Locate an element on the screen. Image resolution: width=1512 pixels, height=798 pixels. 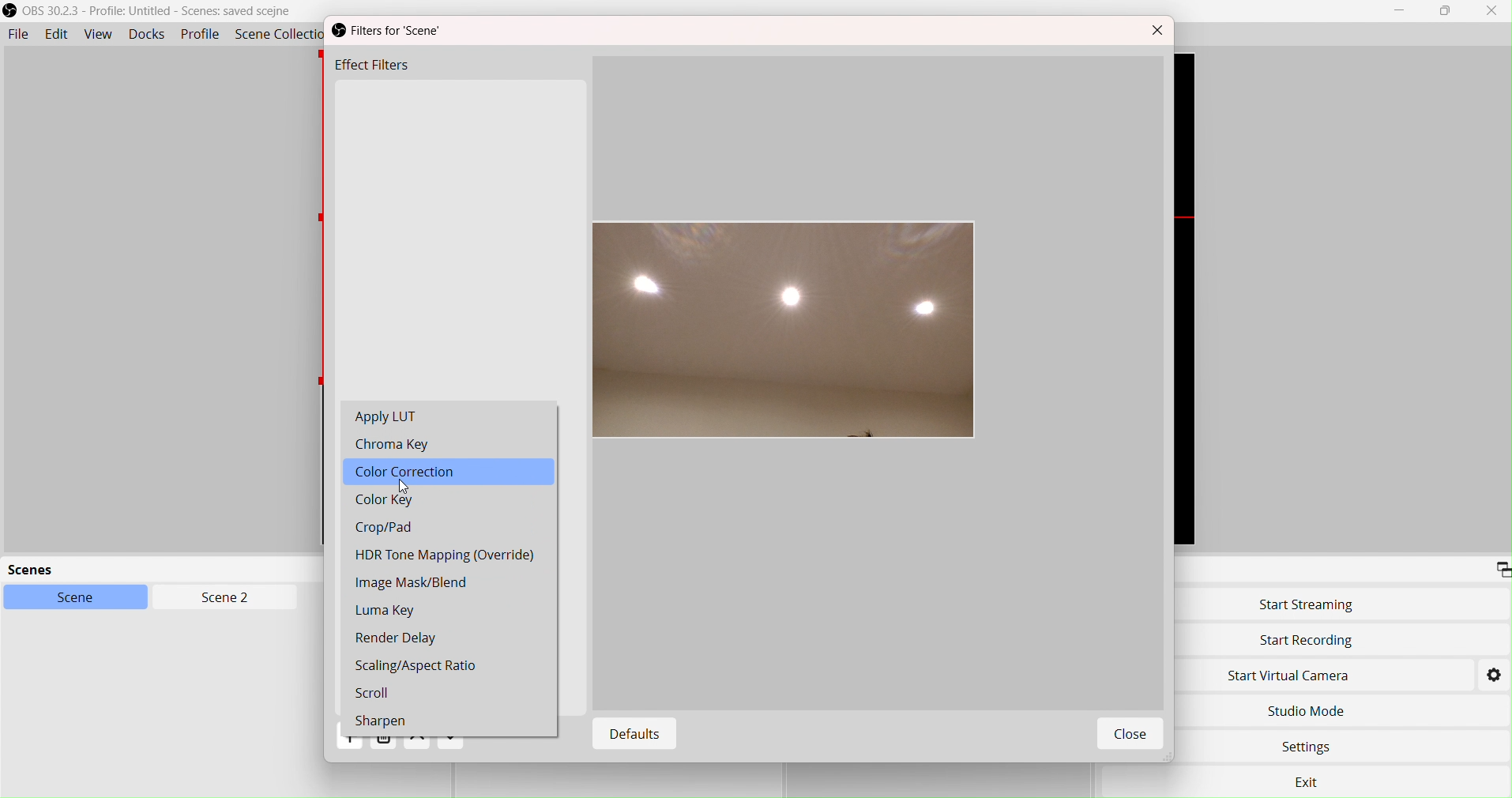
Color Key is located at coordinates (386, 503).